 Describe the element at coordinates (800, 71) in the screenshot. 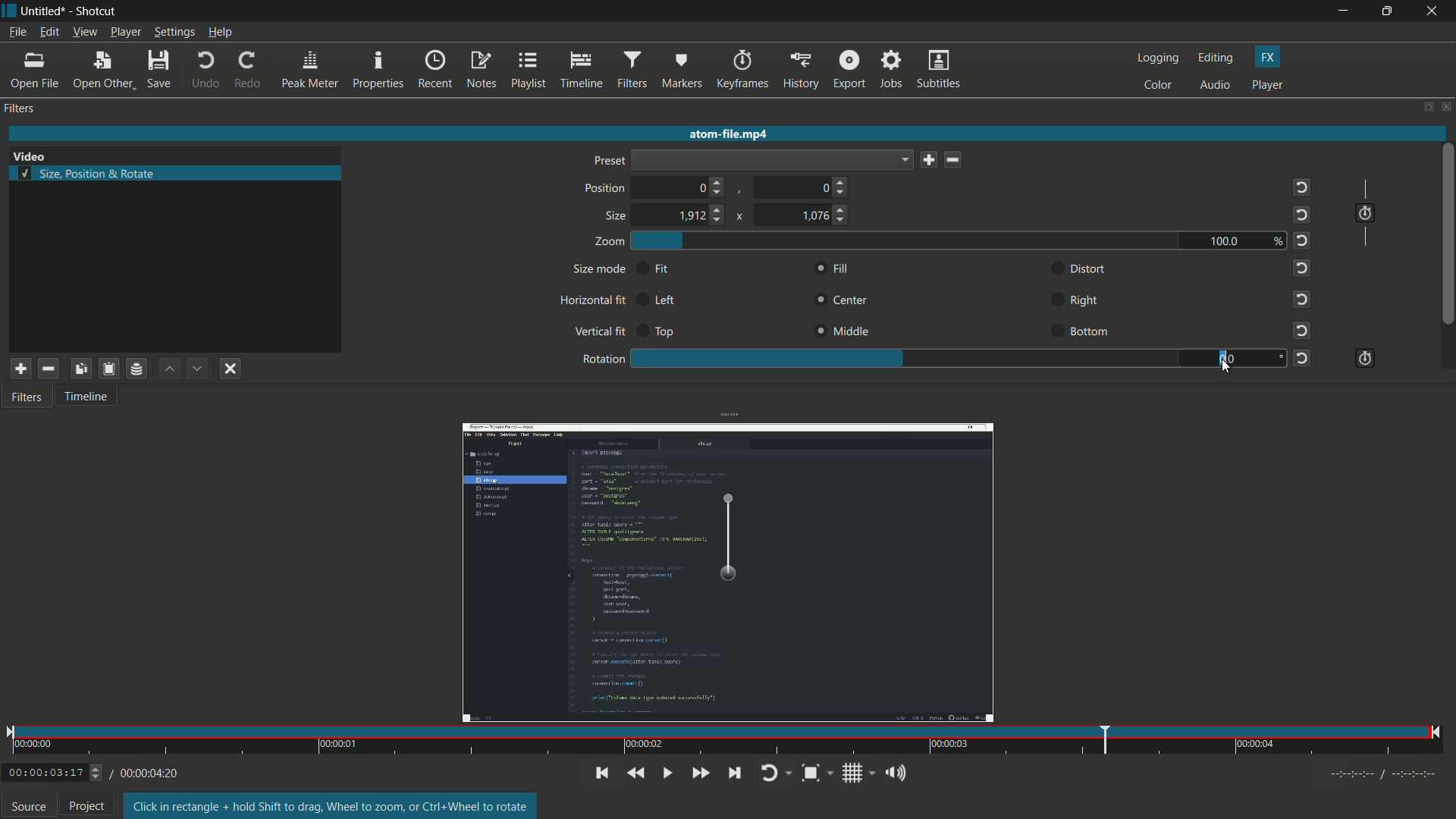

I see `history` at that location.